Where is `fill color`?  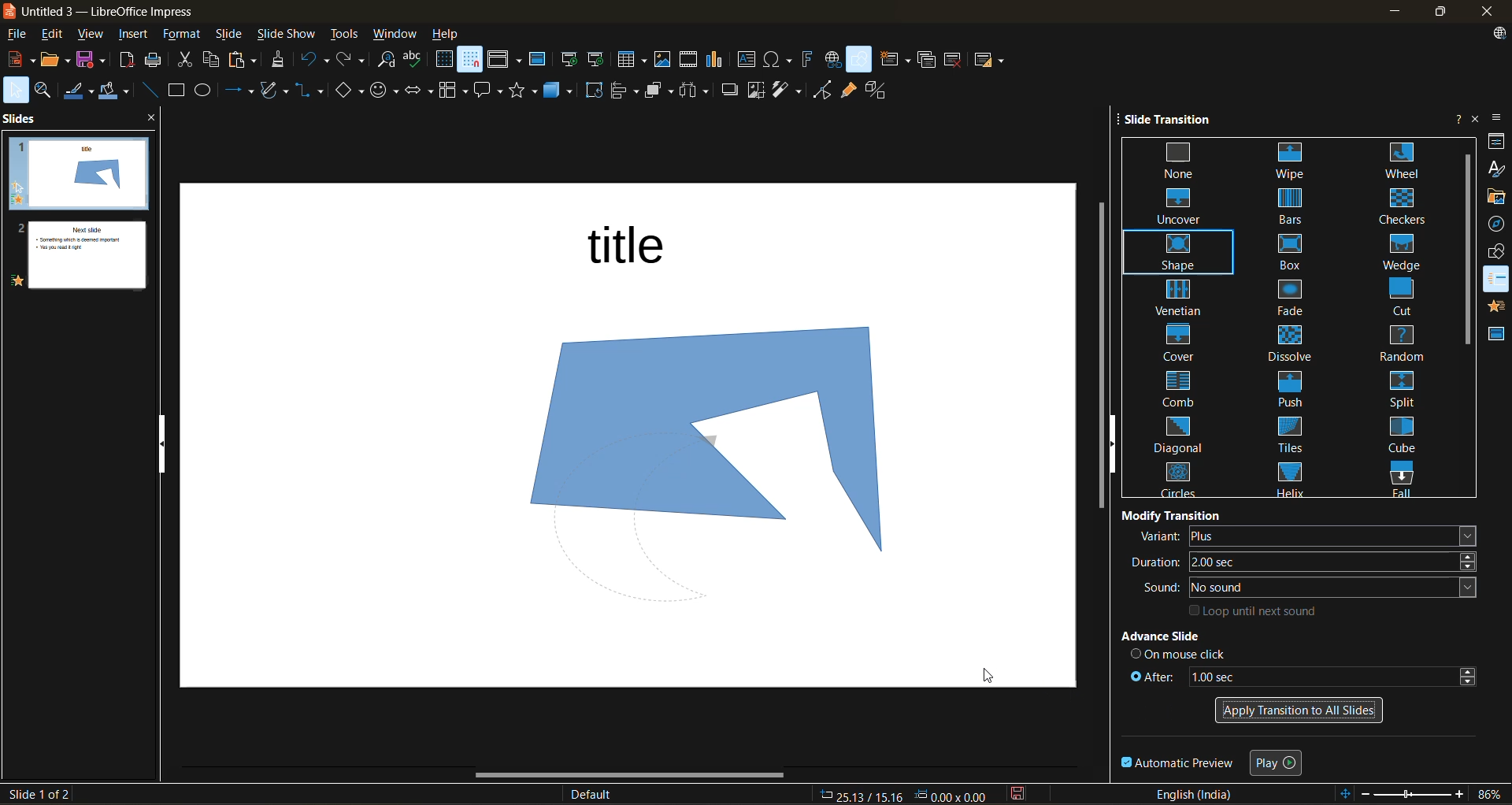
fill color is located at coordinates (117, 93).